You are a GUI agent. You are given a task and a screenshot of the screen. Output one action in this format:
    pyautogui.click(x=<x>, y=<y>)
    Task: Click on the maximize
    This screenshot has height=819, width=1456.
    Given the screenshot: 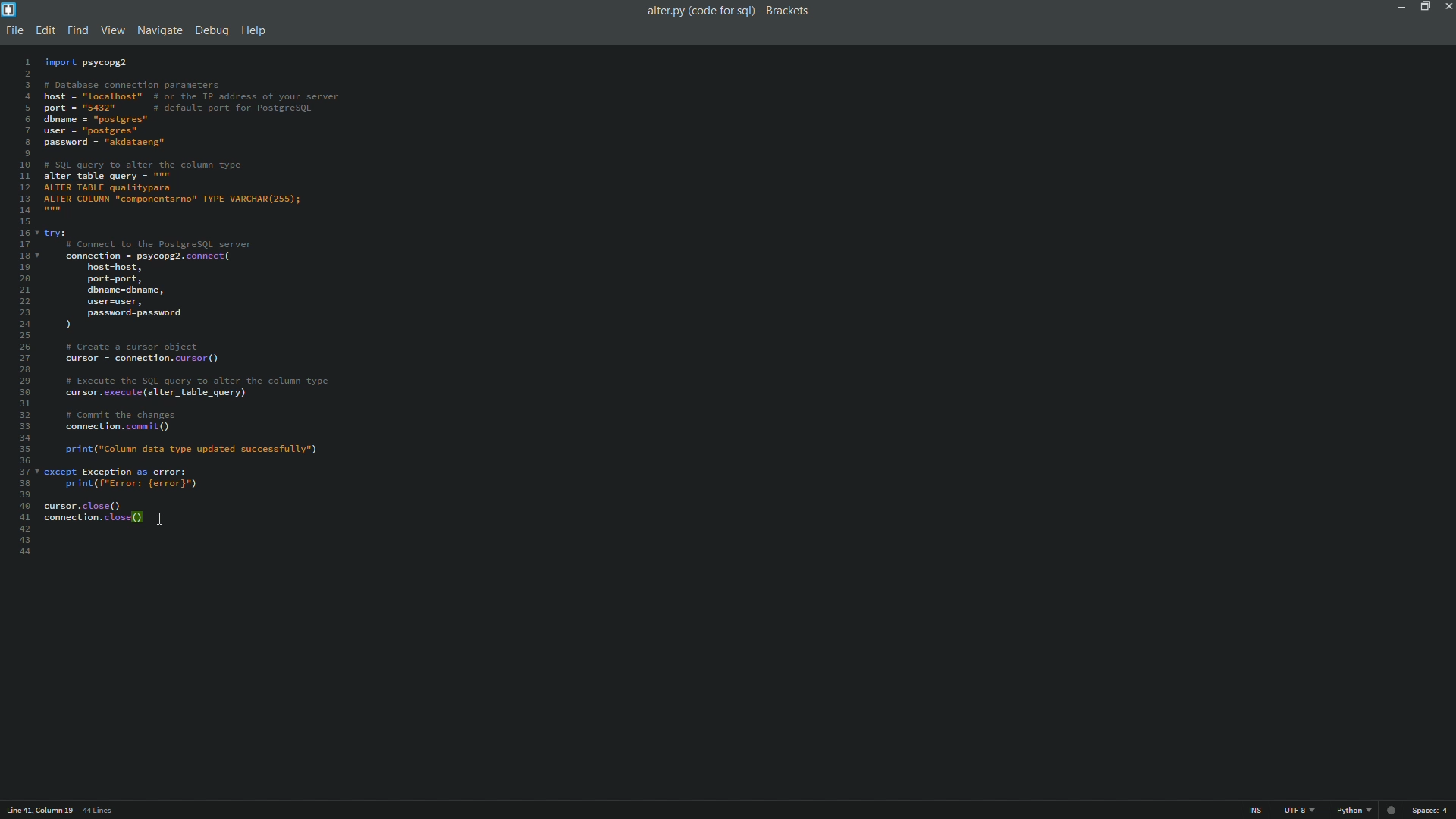 What is the action you would take?
    pyautogui.click(x=1422, y=6)
    